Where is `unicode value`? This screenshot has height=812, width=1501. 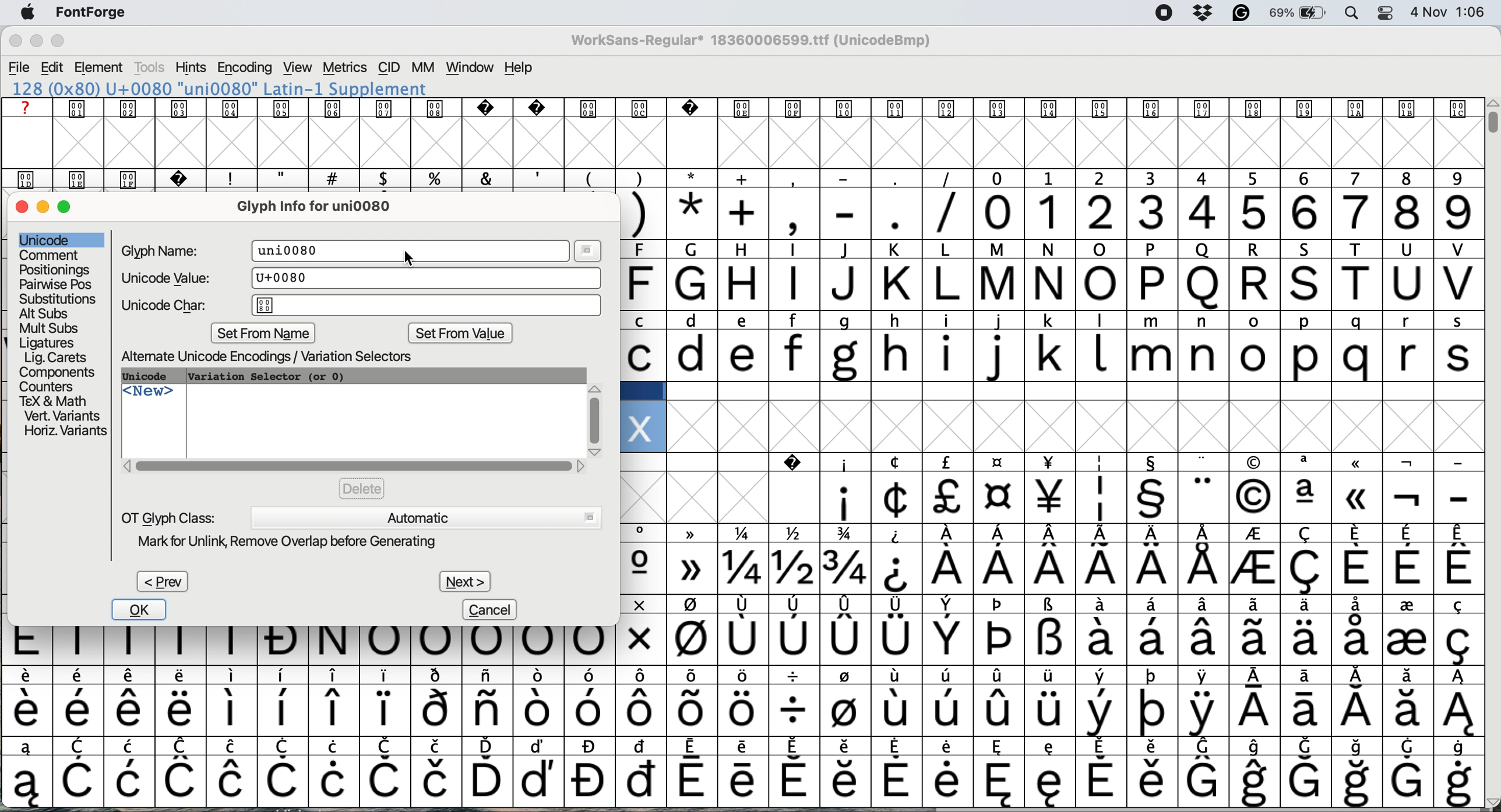 unicode value is located at coordinates (357, 278).